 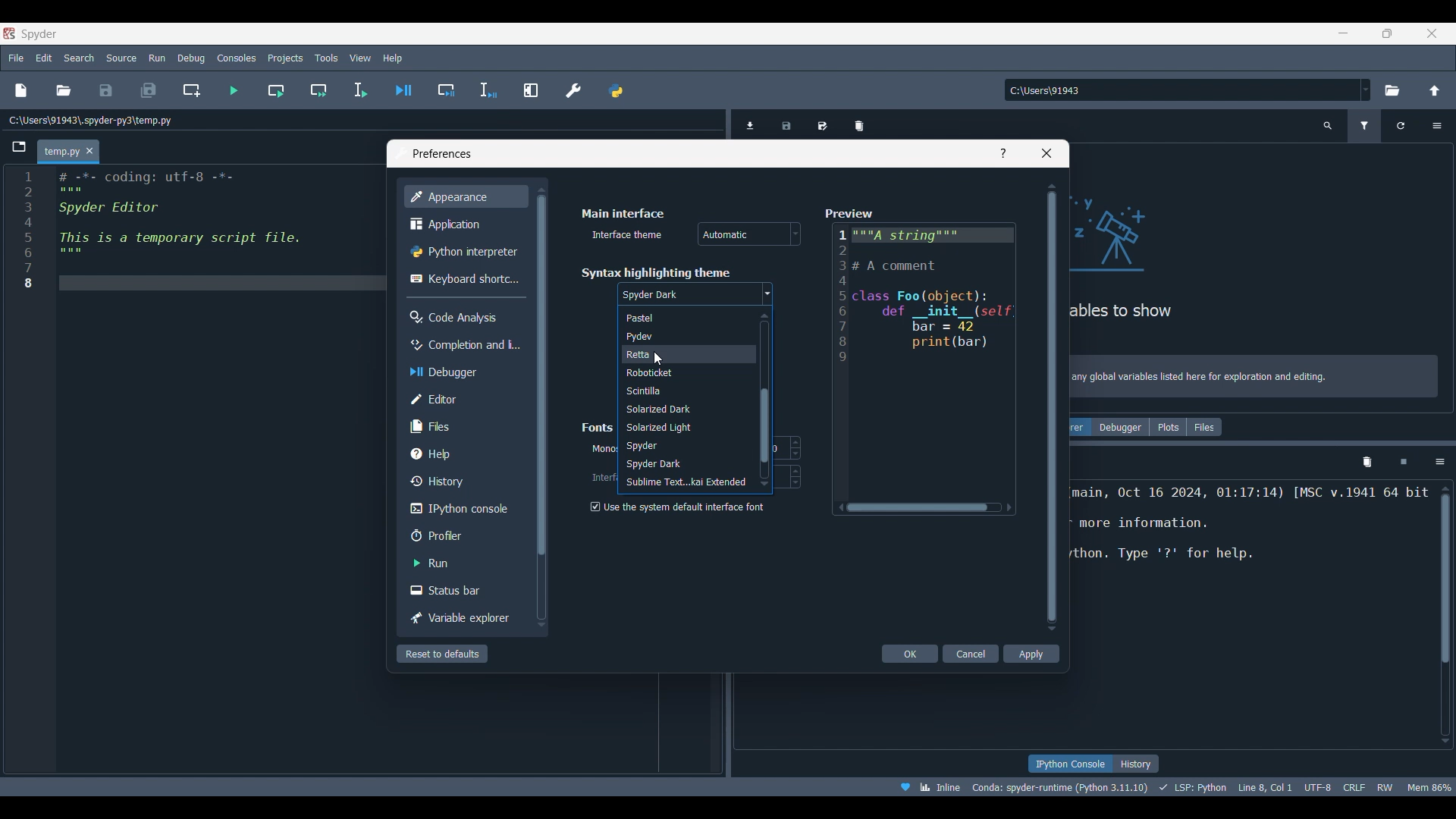 I want to click on Section title, so click(x=655, y=272).